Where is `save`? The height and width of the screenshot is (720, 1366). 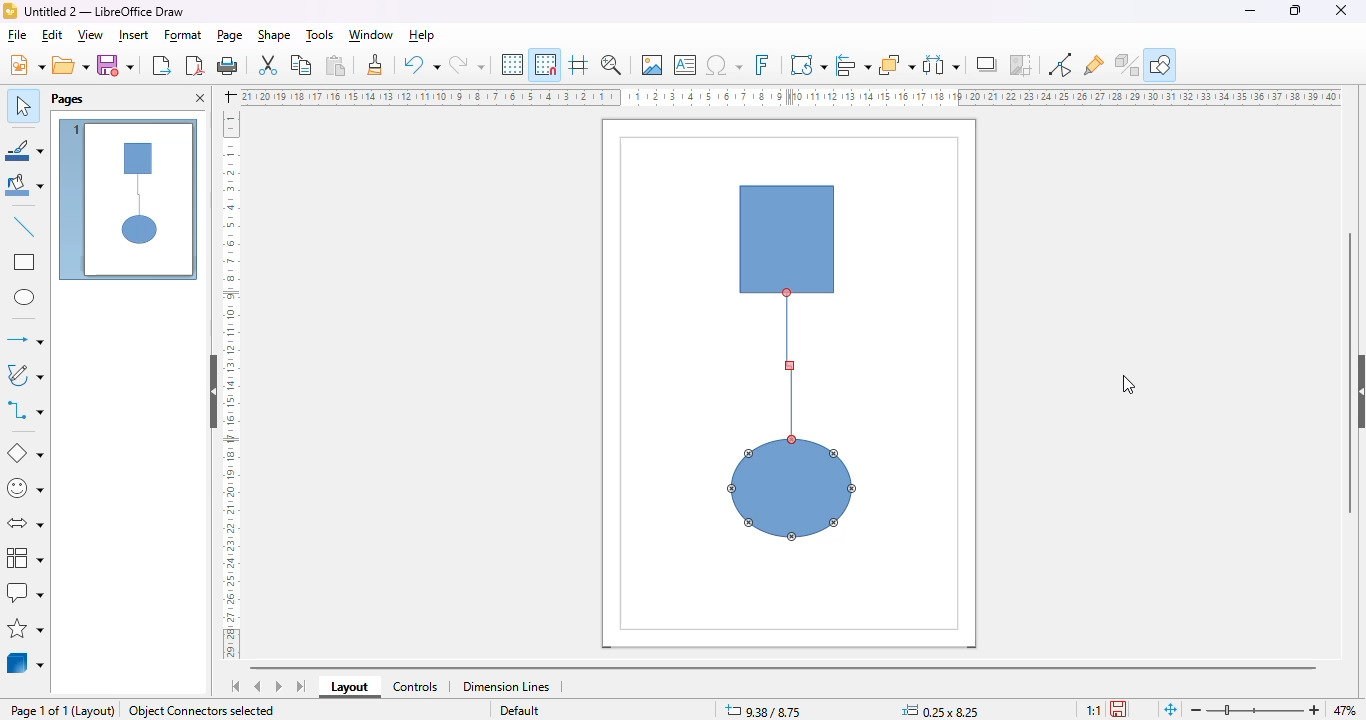 save is located at coordinates (115, 64).